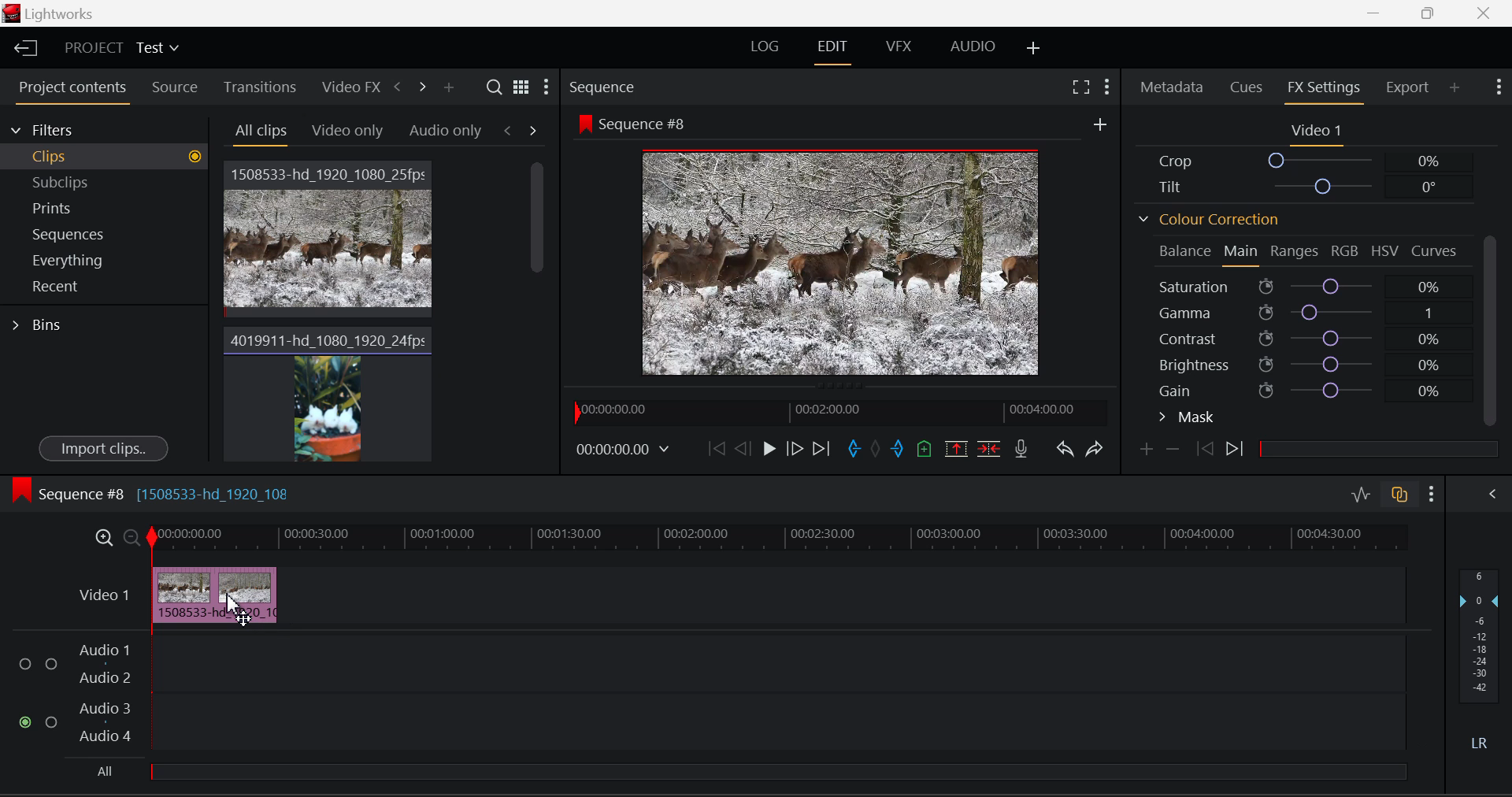  I want to click on Delete/Cut, so click(989, 449).